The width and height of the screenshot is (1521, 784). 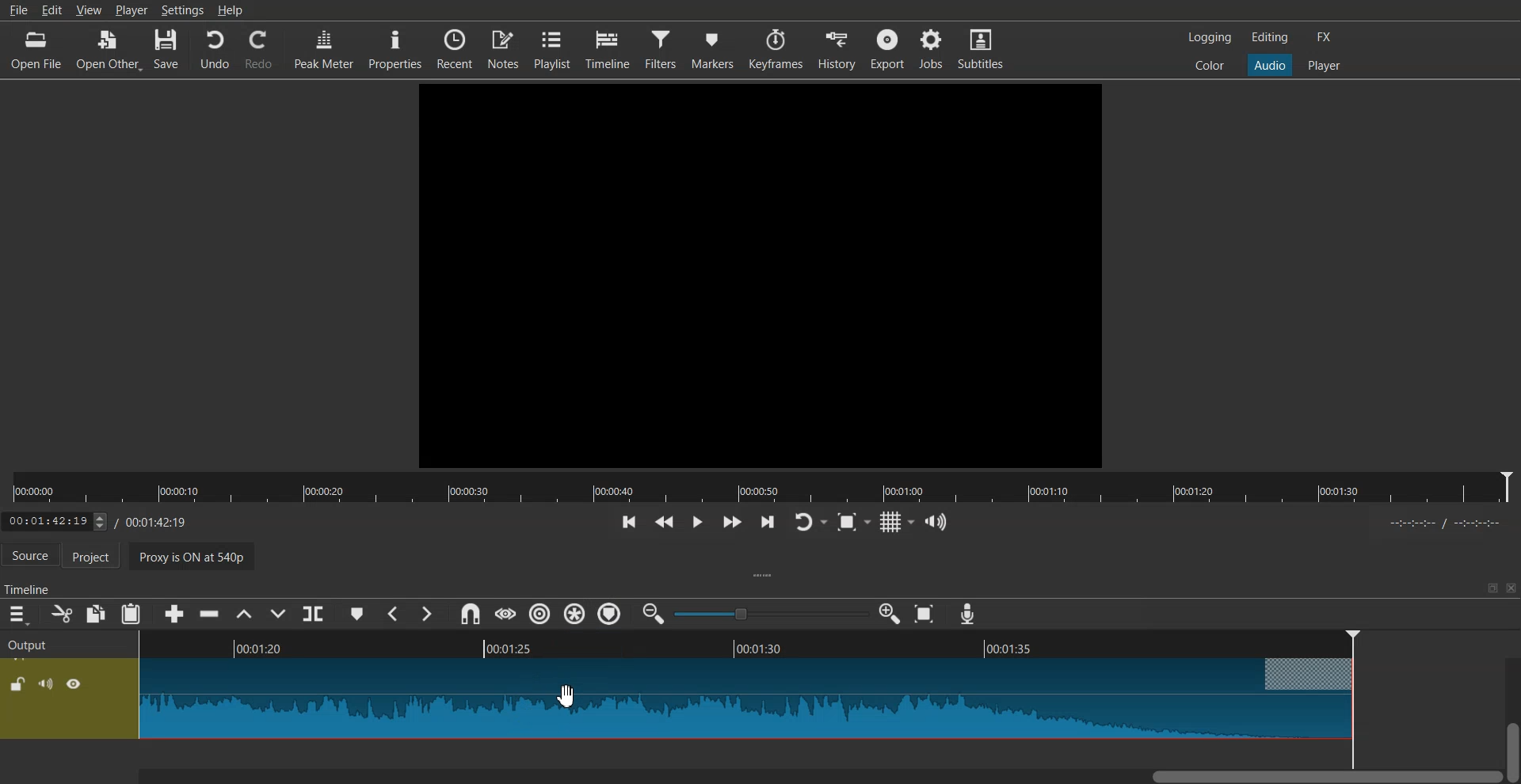 What do you see at coordinates (214, 50) in the screenshot?
I see `Undo` at bounding box center [214, 50].